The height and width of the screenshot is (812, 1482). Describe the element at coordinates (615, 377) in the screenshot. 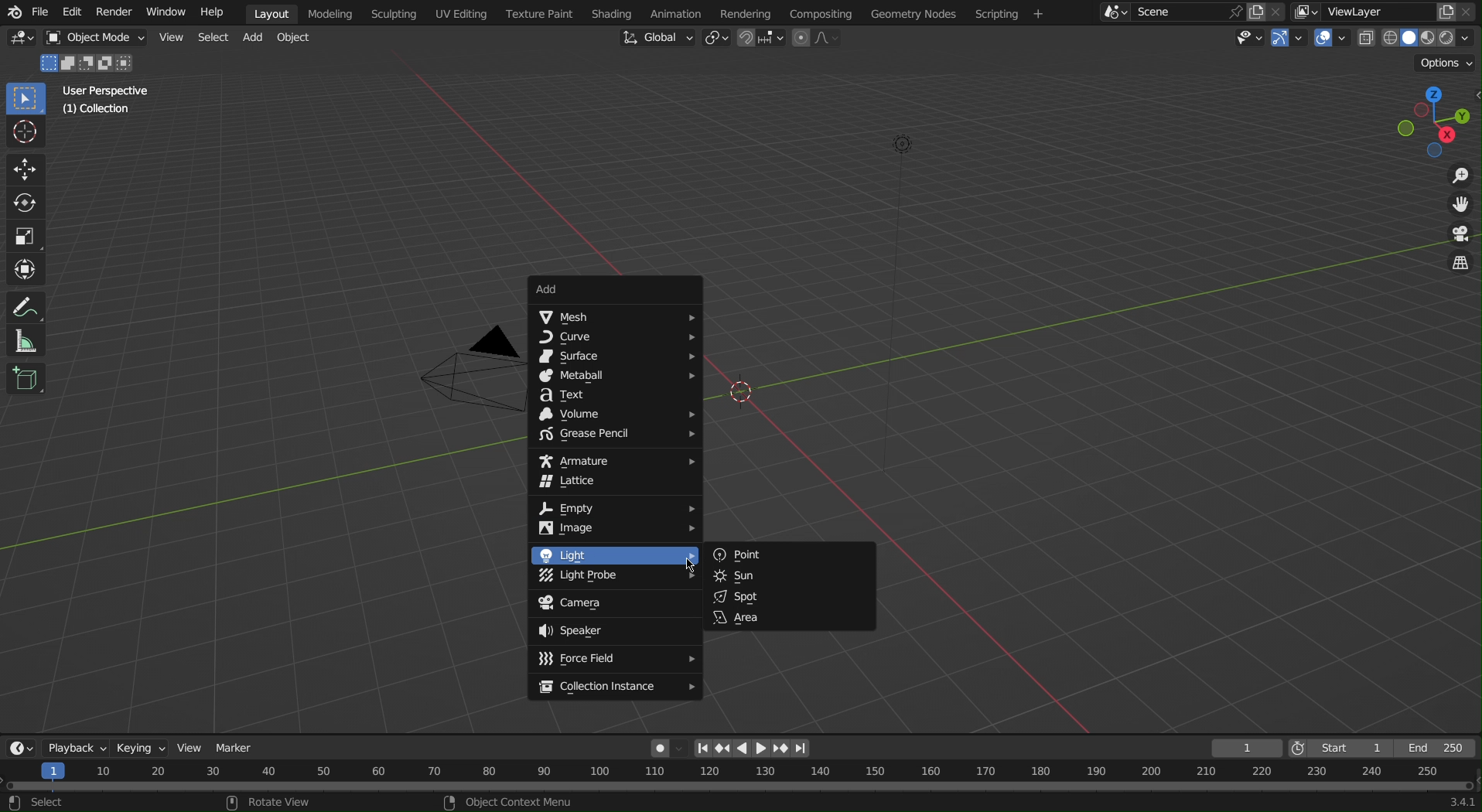

I see `Metabal` at that location.